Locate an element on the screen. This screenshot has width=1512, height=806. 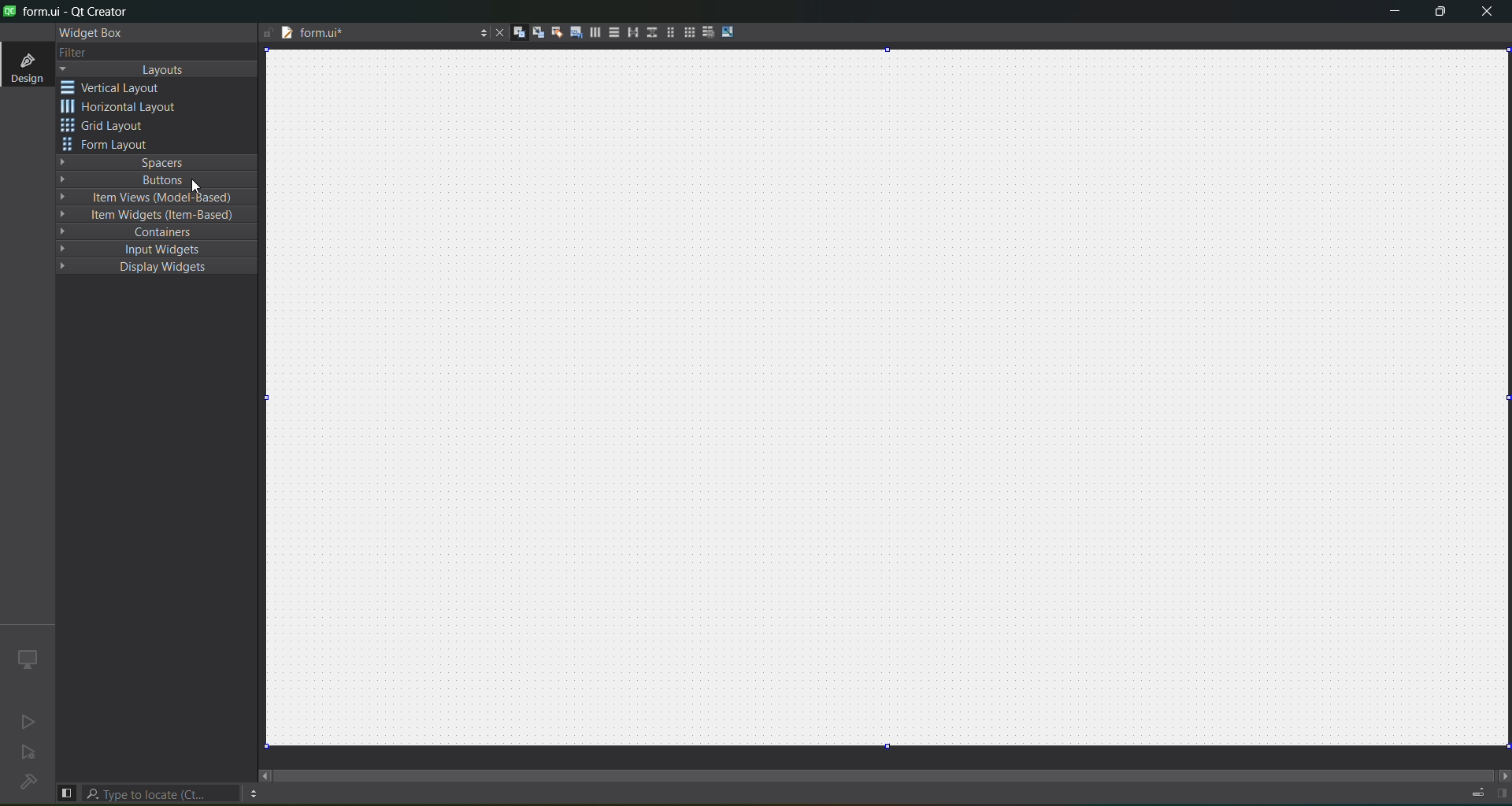
no active is located at coordinates (24, 723).